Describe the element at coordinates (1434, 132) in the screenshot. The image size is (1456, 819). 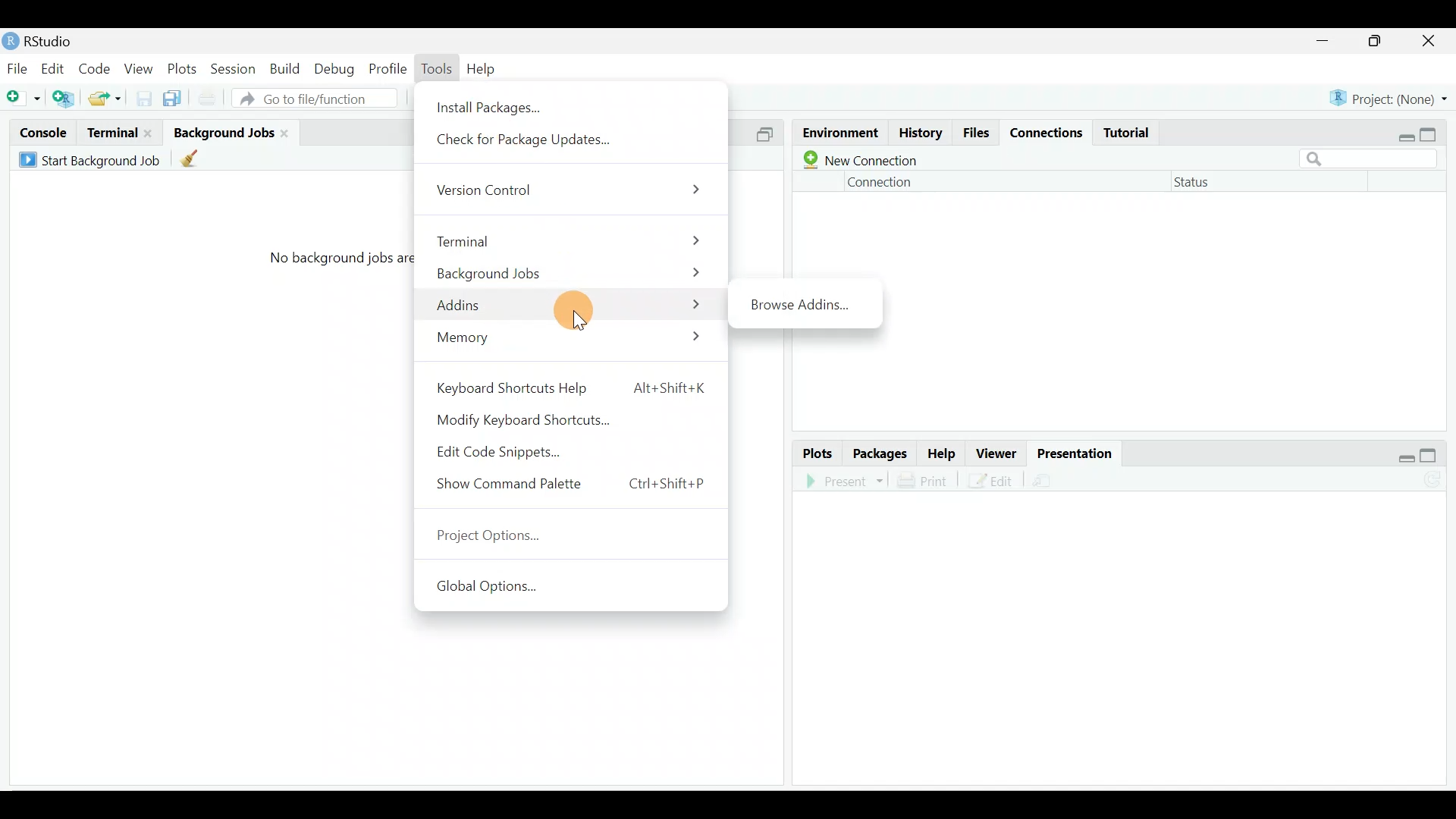
I see `maximize` at that location.